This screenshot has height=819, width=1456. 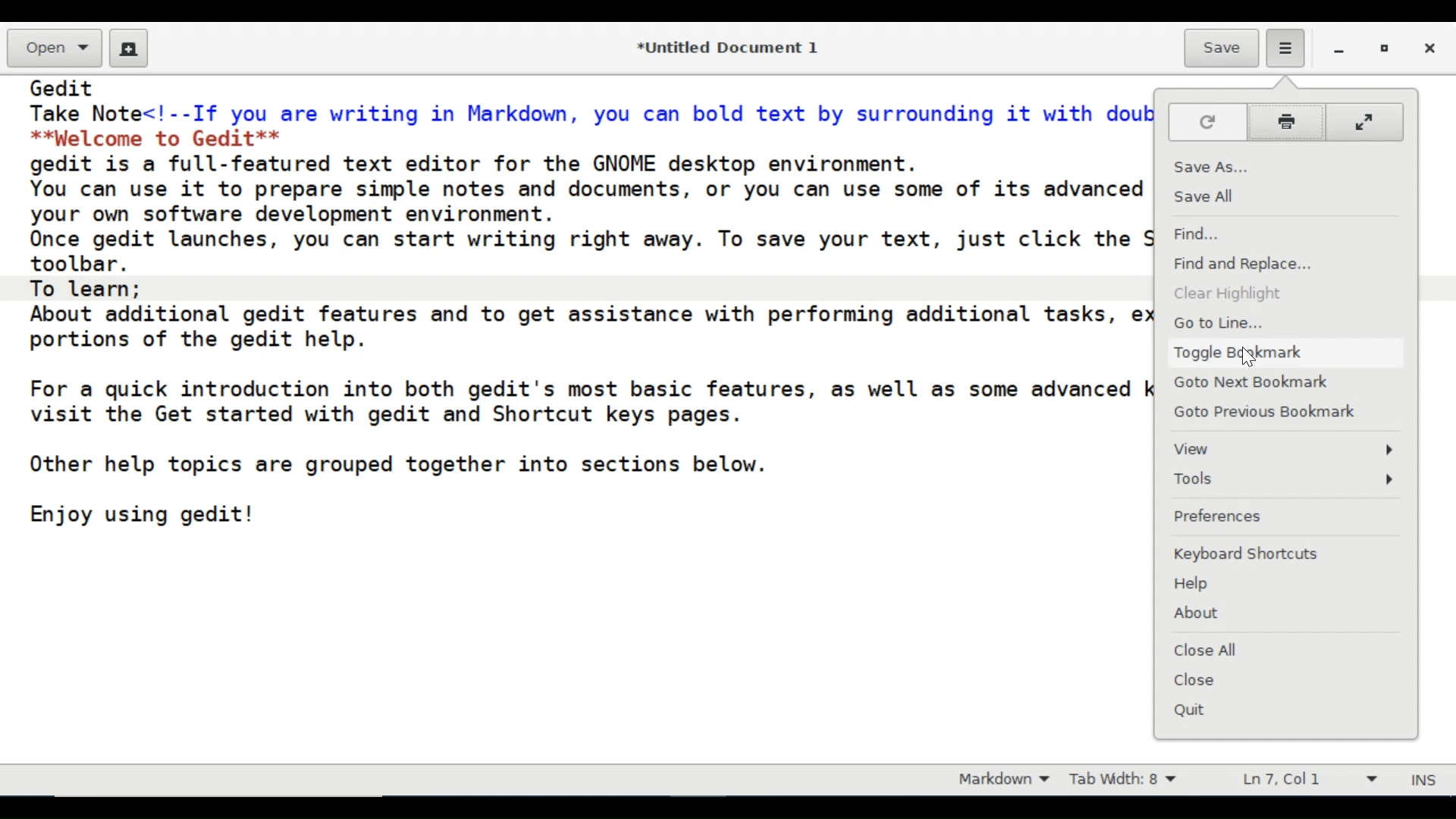 What do you see at coordinates (1127, 781) in the screenshot?
I see `Tab Width` at bounding box center [1127, 781].